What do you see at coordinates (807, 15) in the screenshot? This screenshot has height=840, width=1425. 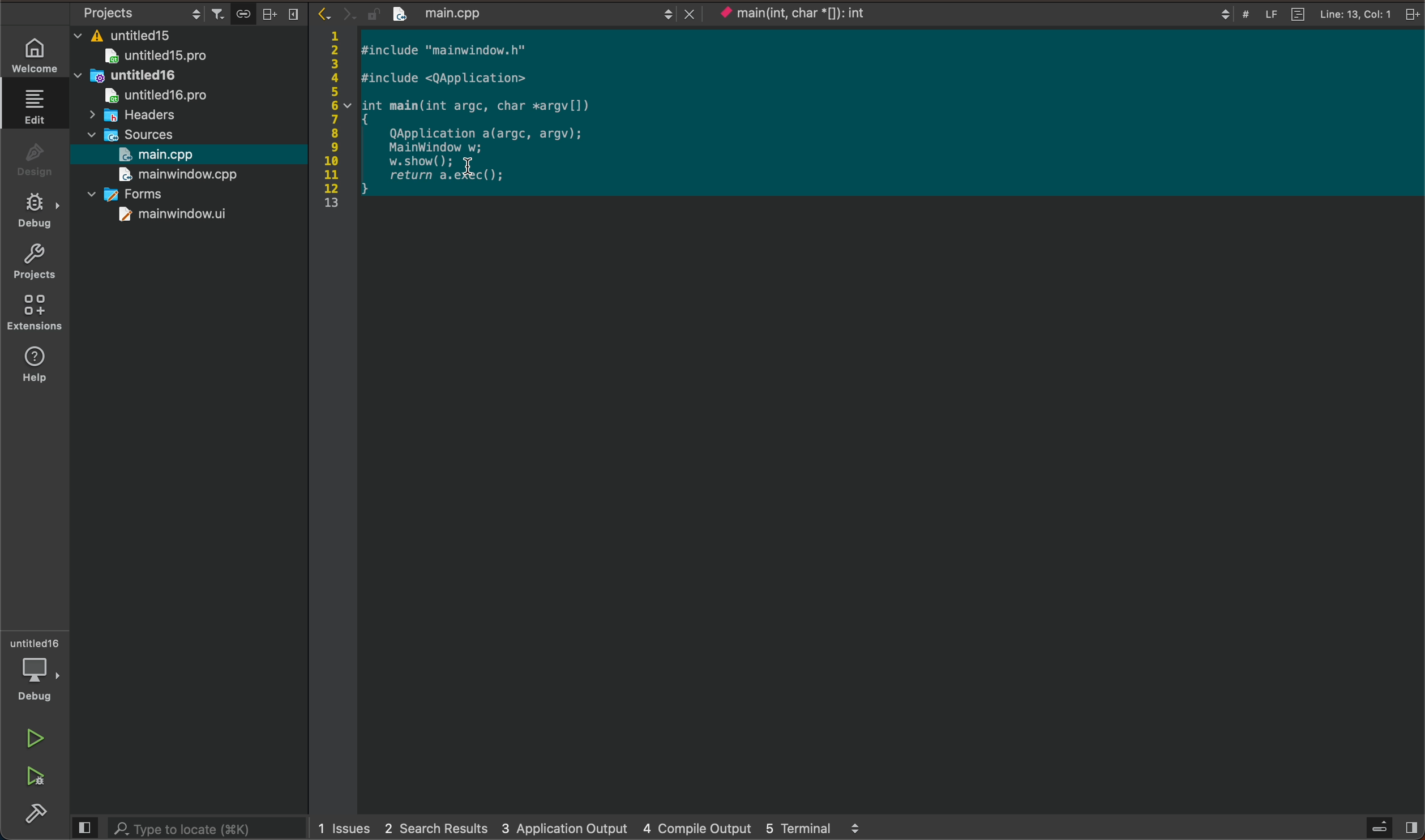 I see `current context` at bounding box center [807, 15].